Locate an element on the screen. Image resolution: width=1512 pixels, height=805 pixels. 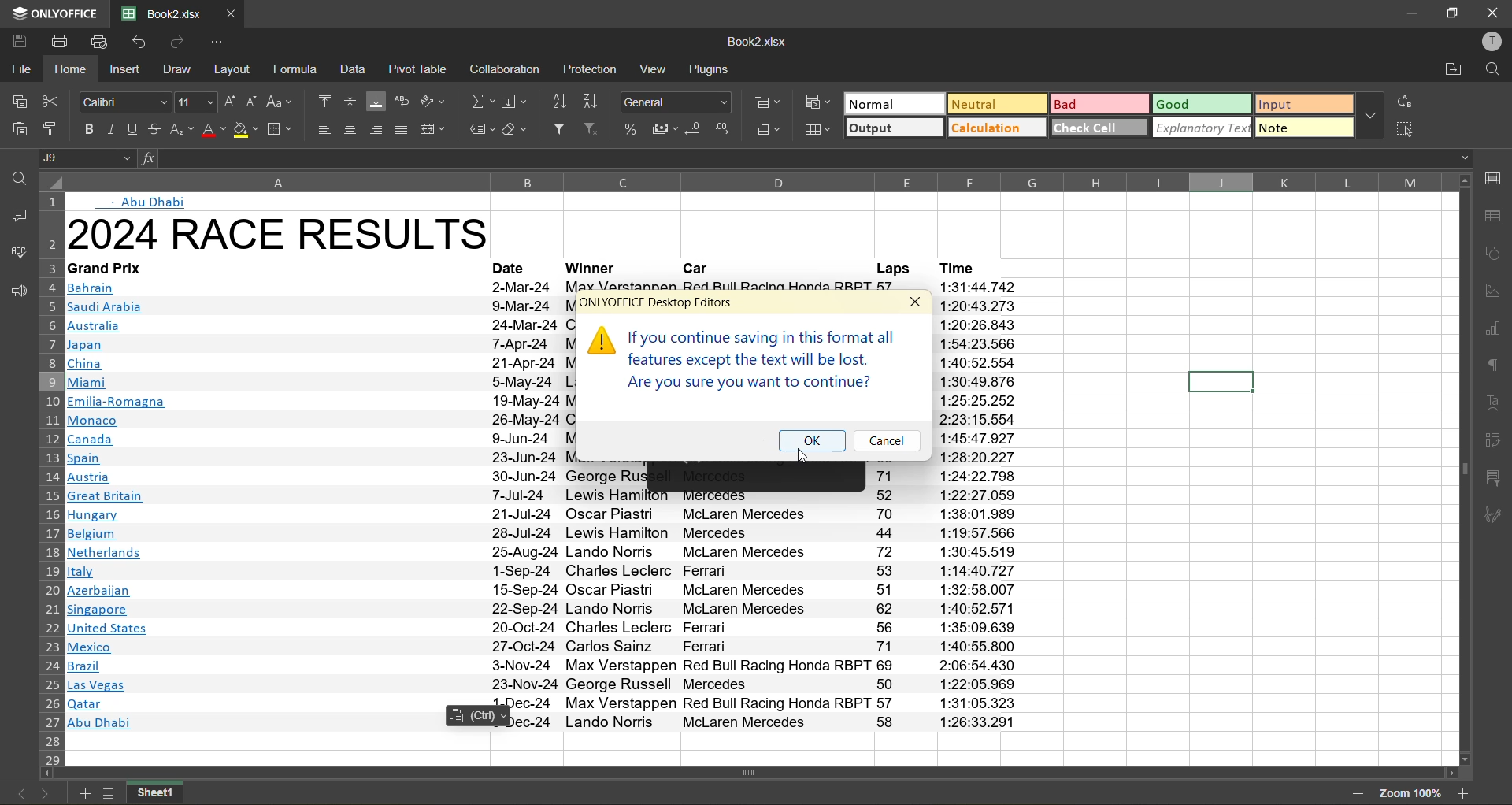
output is located at coordinates (894, 127).